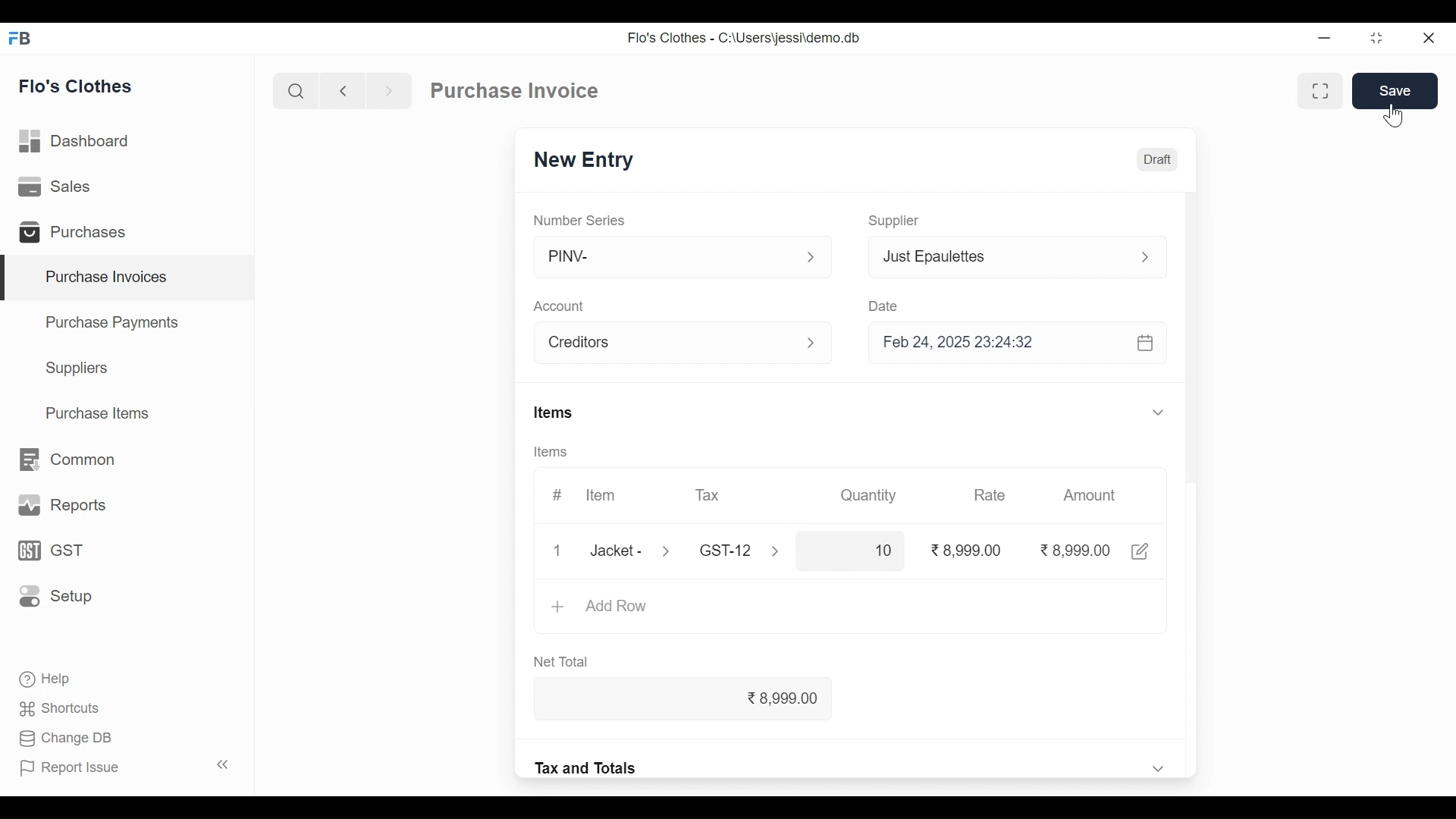 The height and width of the screenshot is (819, 1456). I want to click on Number Series, so click(580, 219).